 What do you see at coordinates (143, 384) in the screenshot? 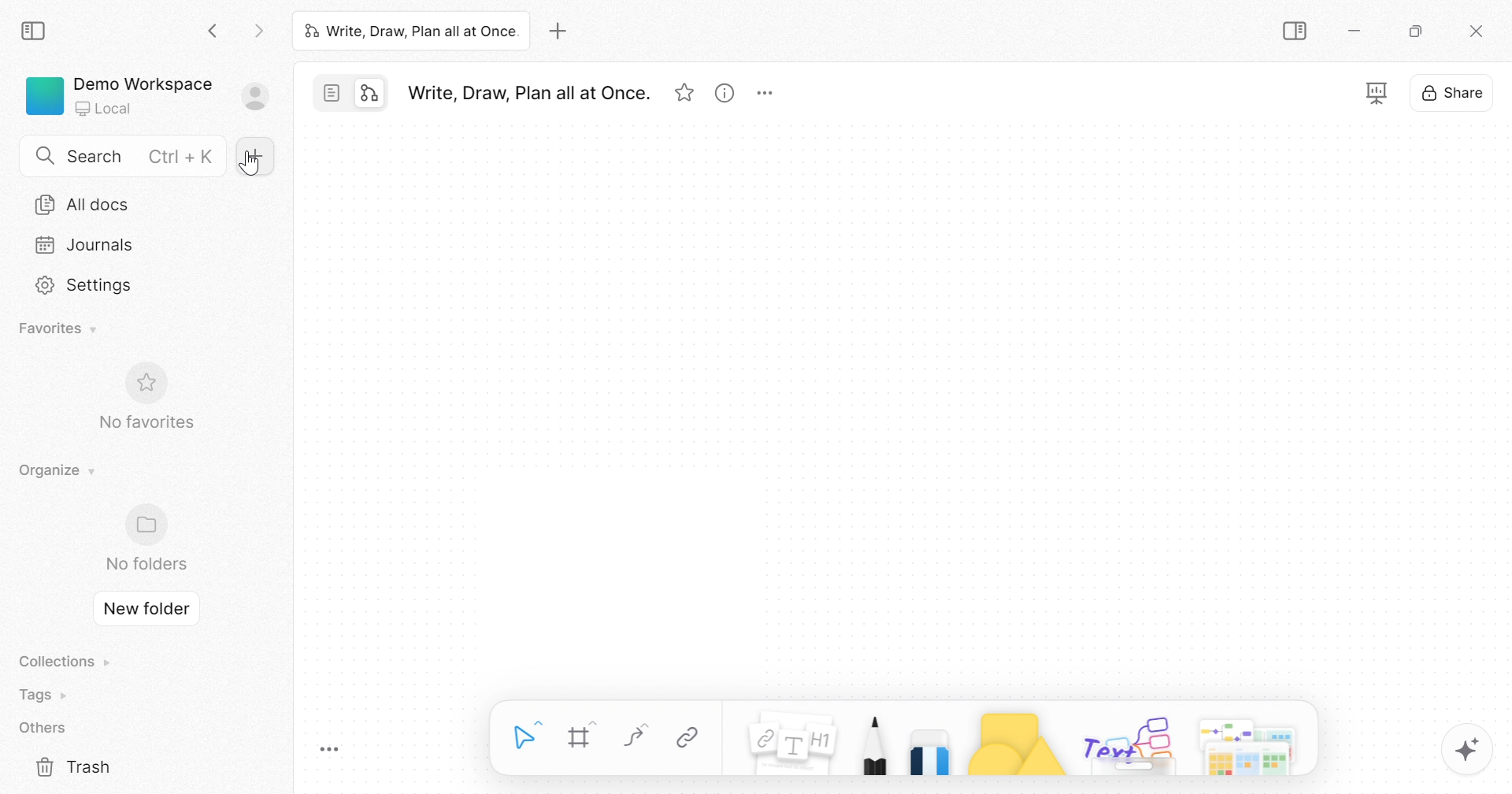
I see `Favorites icon` at bounding box center [143, 384].